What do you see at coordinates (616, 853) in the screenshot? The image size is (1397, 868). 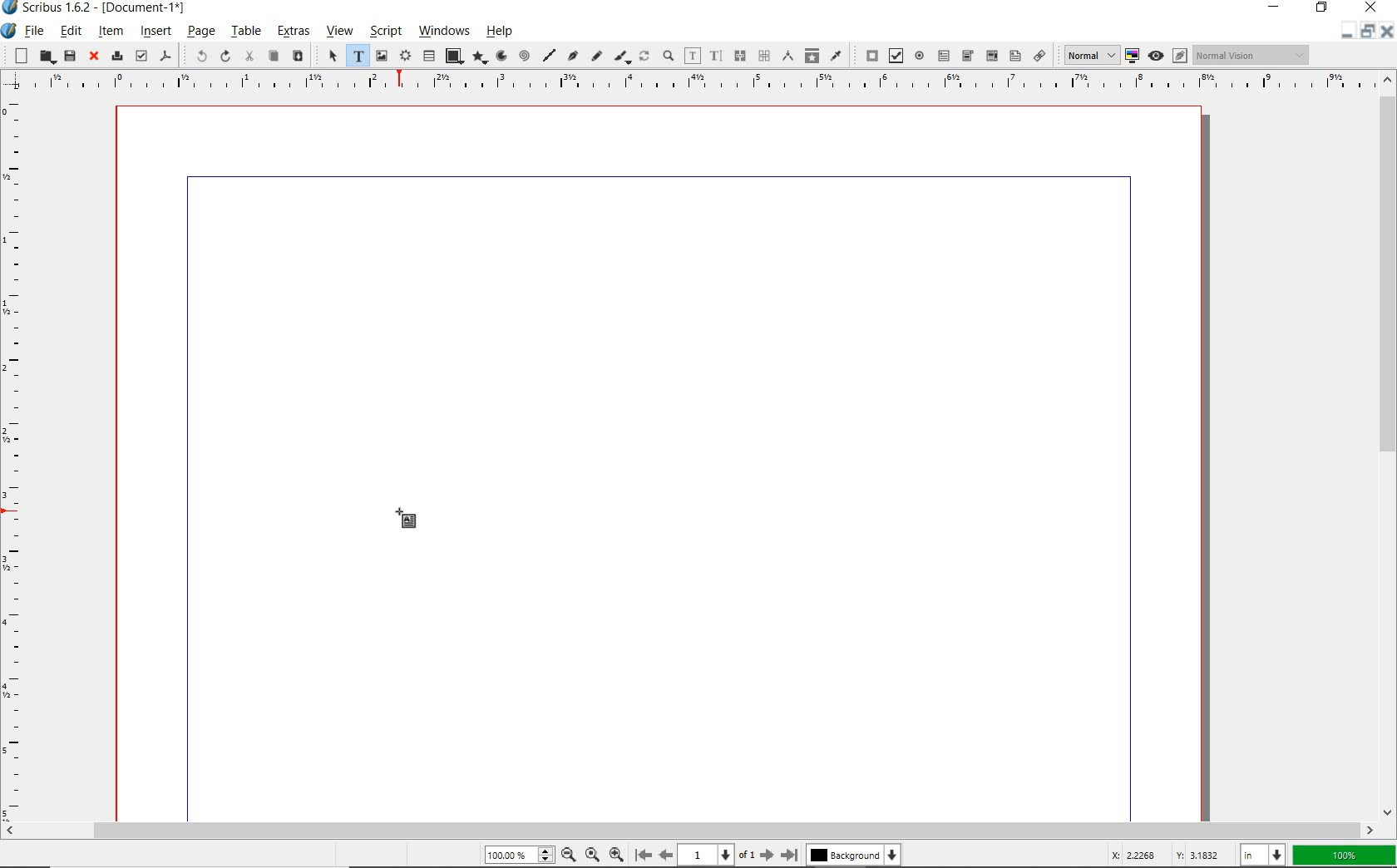 I see `Zoom in` at bounding box center [616, 853].